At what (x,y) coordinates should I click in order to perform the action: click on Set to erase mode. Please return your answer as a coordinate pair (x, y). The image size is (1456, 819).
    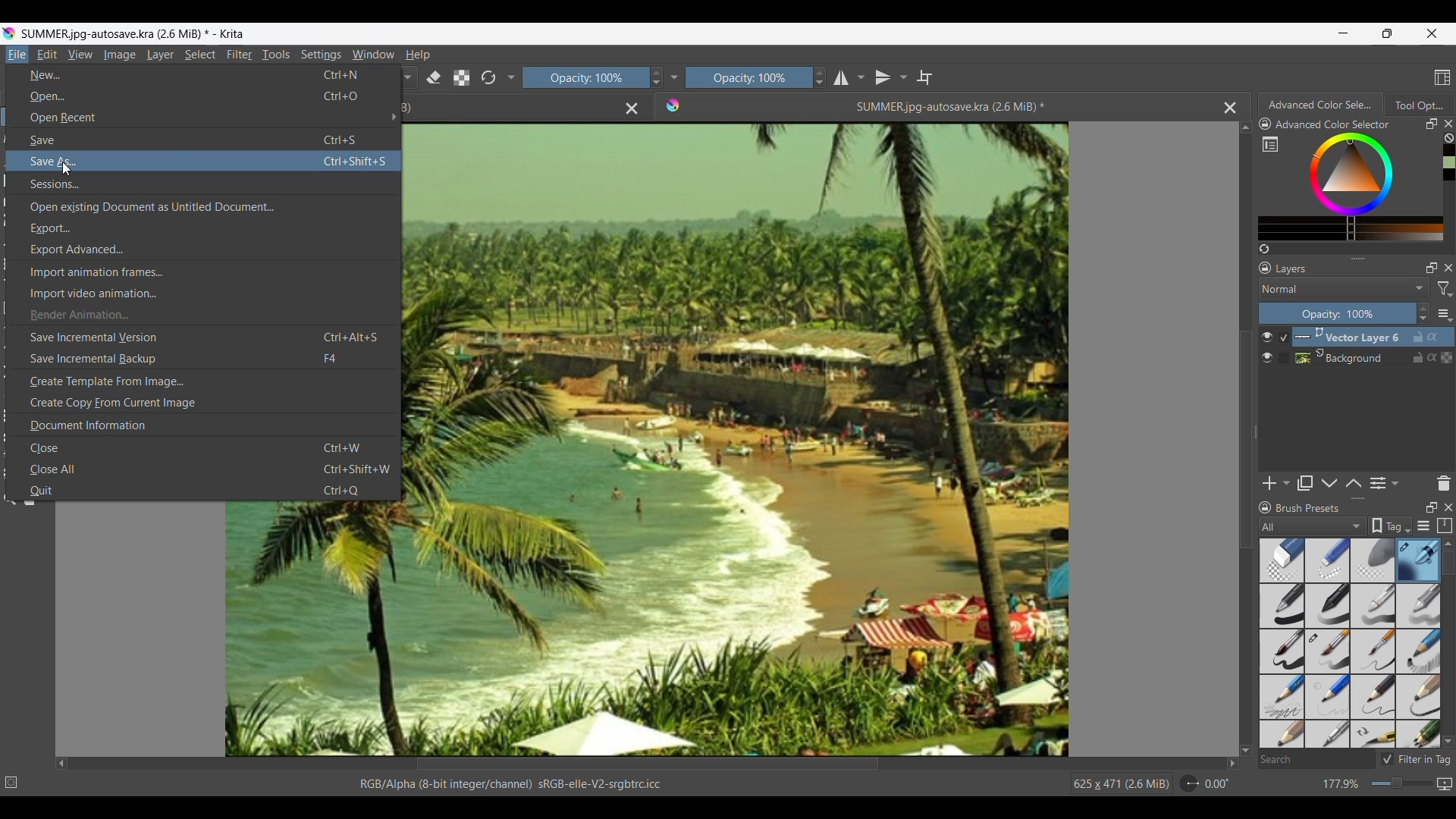
    Looking at the image, I should click on (434, 78).